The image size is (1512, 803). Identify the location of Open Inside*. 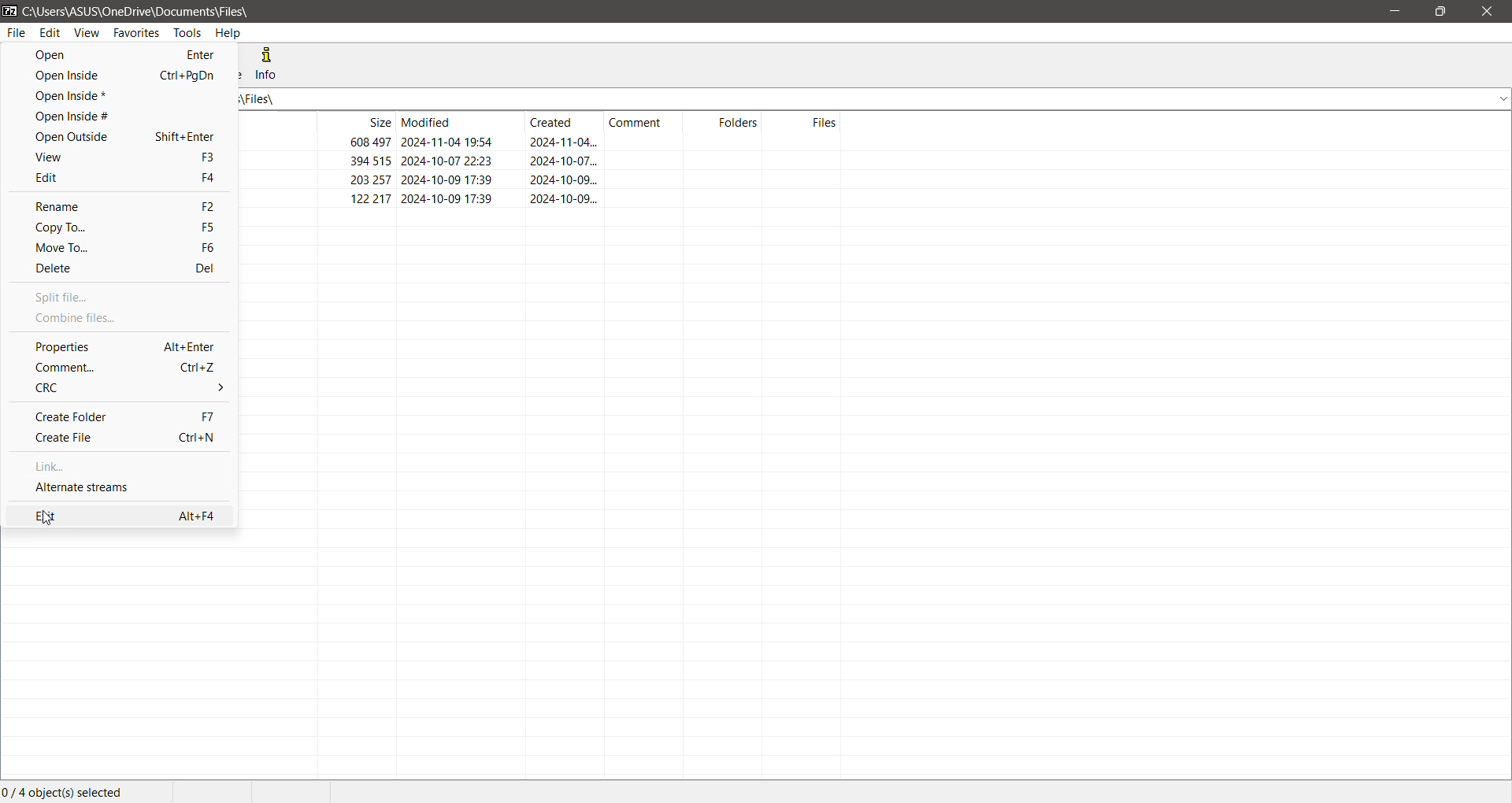
(79, 97).